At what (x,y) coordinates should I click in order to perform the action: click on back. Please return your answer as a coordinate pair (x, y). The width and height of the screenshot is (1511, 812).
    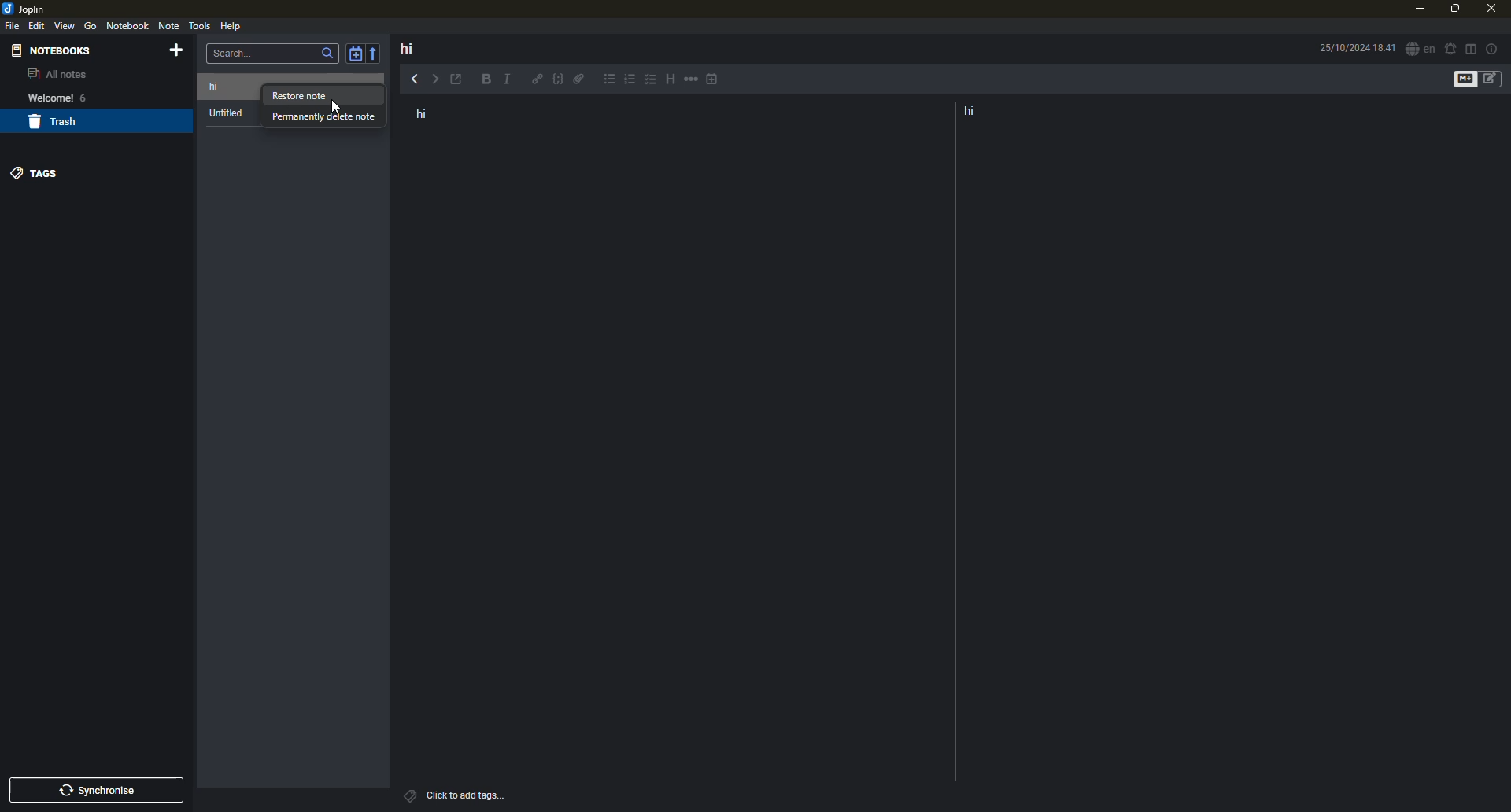
    Looking at the image, I should click on (413, 78).